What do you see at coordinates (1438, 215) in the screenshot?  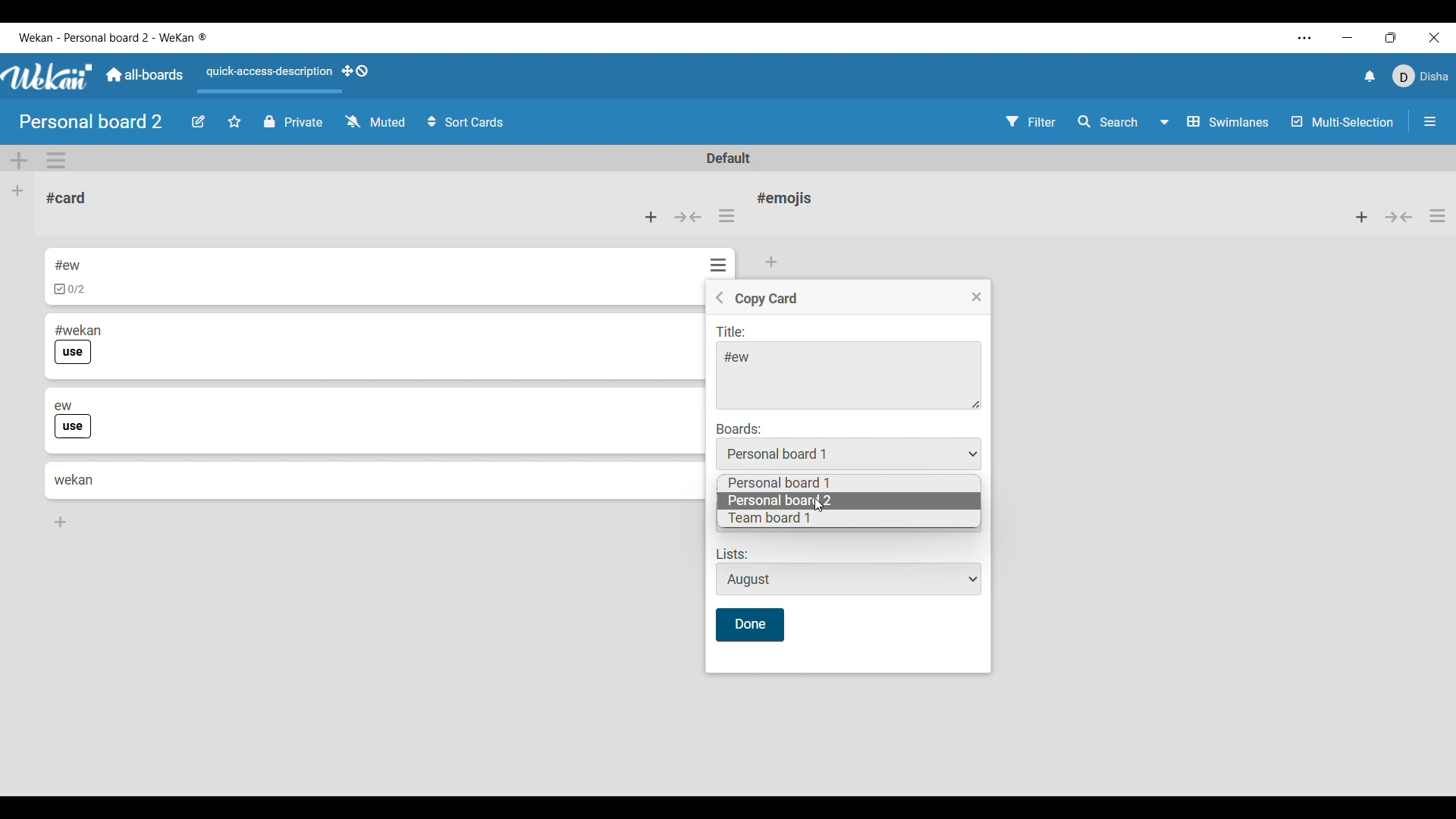 I see `List actions` at bounding box center [1438, 215].